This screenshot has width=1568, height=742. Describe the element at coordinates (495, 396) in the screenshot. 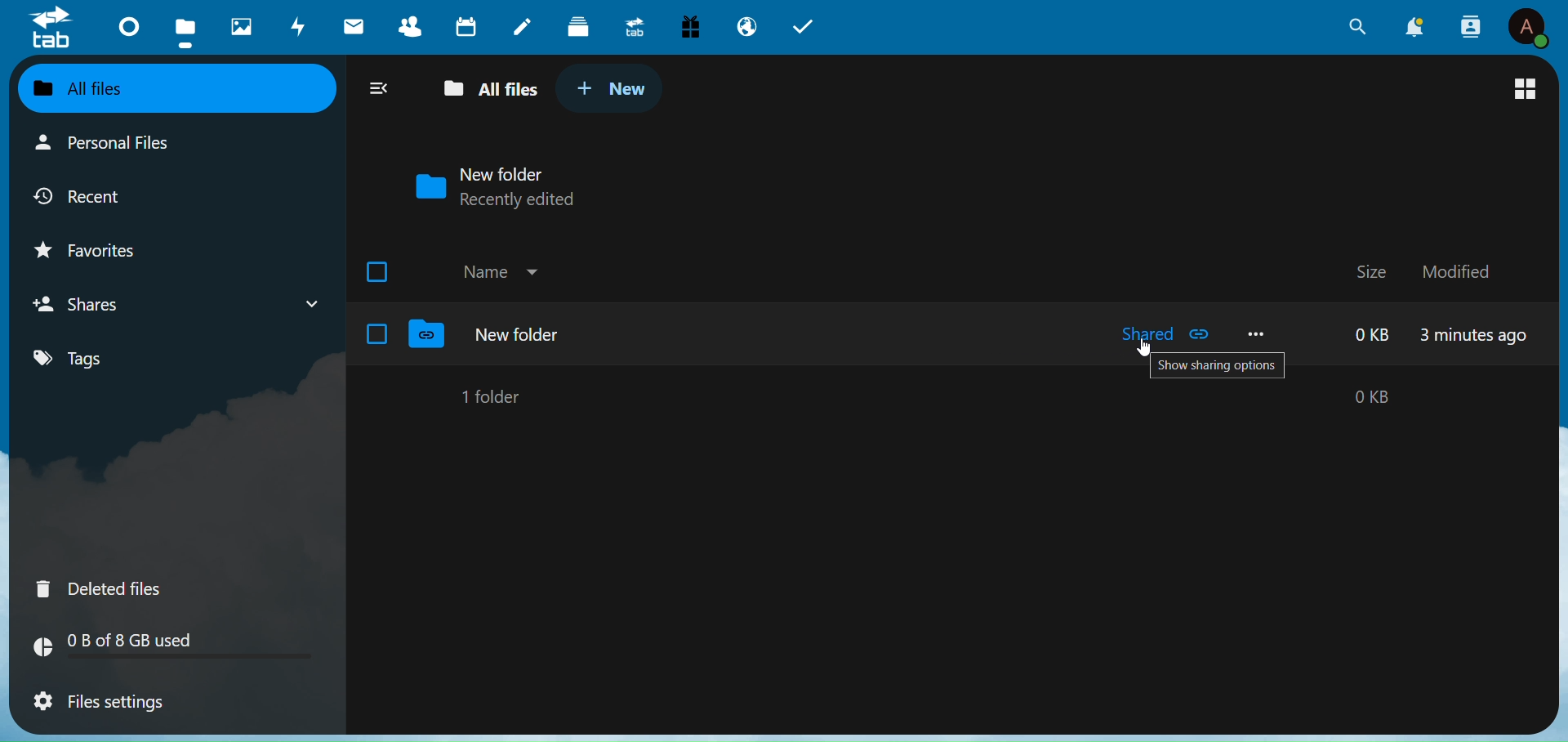

I see `1 Folder` at that location.